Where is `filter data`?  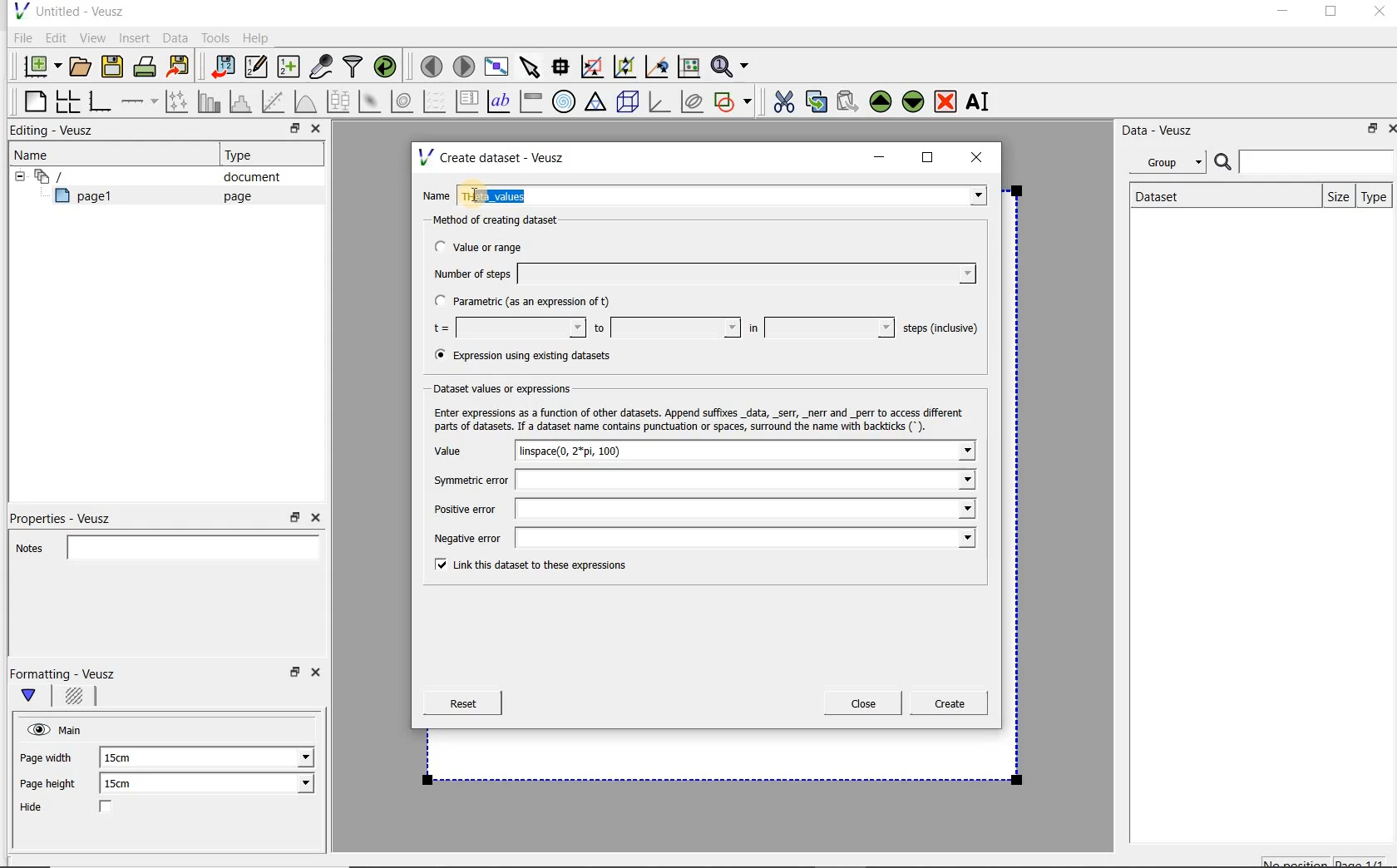 filter data is located at coordinates (353, 68).